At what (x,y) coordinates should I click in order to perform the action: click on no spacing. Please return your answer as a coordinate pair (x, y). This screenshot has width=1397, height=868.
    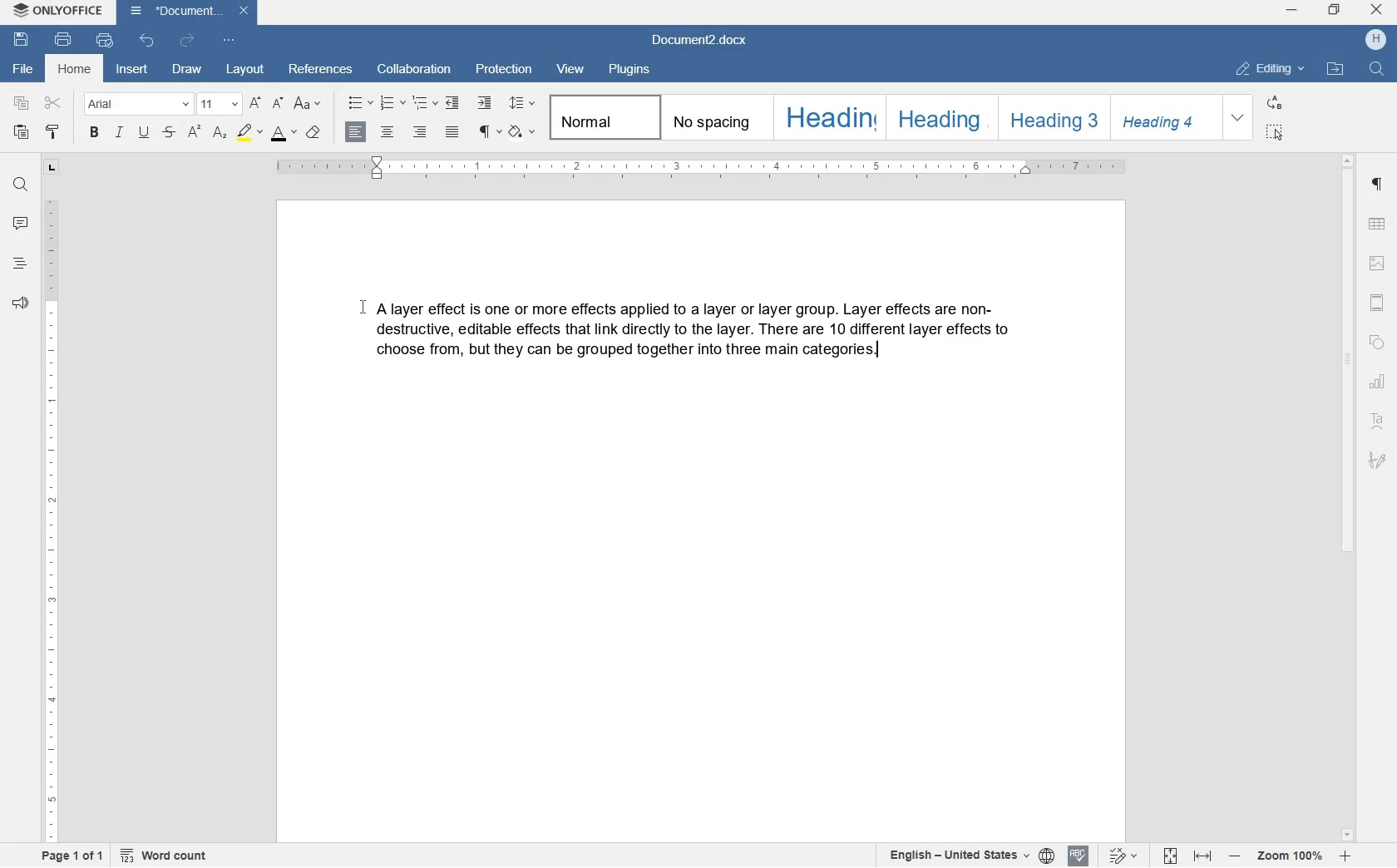
    Looking at the image, I should click on (714, 118).